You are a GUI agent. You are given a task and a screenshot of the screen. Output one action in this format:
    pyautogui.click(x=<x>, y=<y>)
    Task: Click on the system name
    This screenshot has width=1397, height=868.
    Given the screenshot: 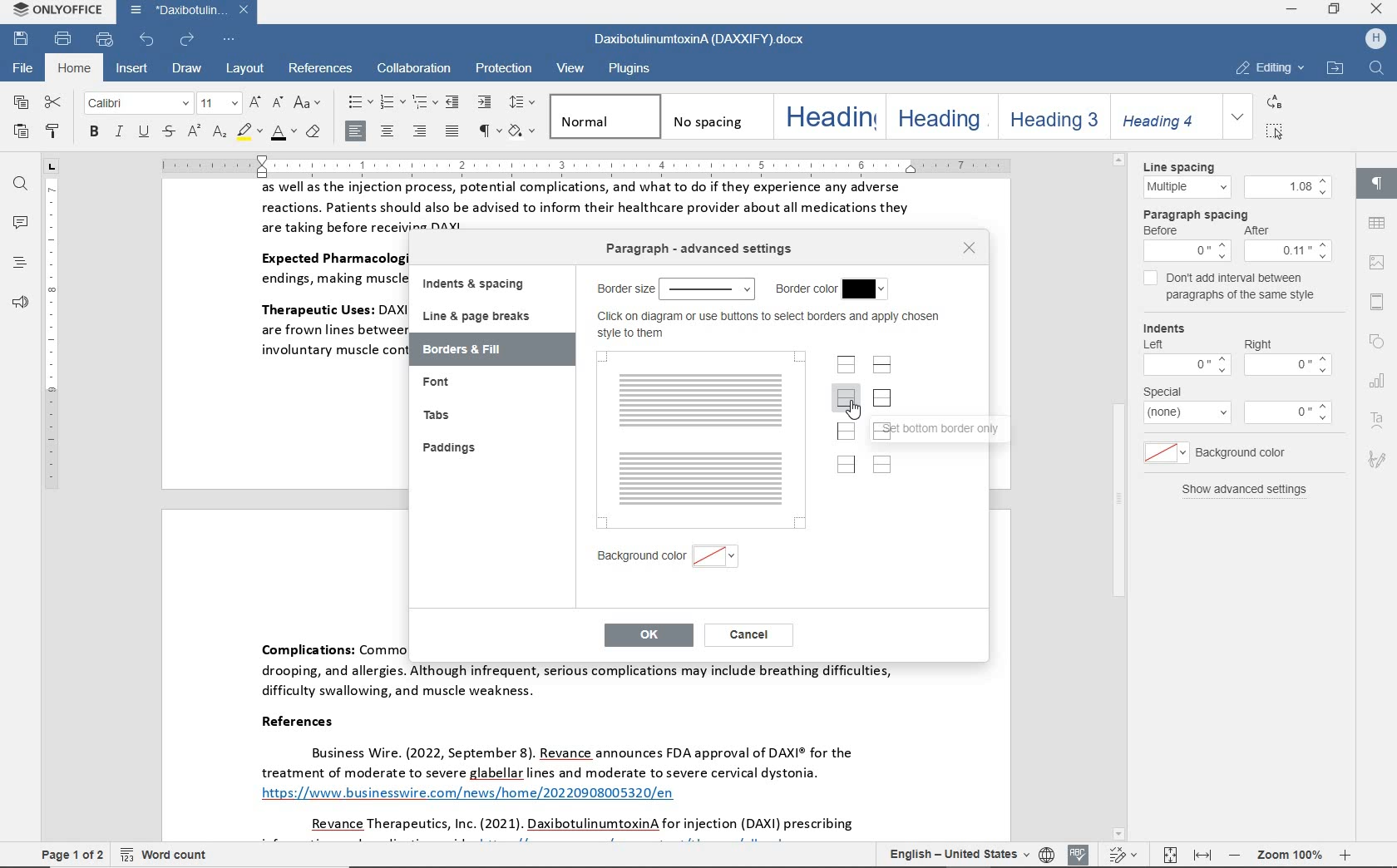 What is the action you would take?
    pyautogui.click(x=56, y=11)
    